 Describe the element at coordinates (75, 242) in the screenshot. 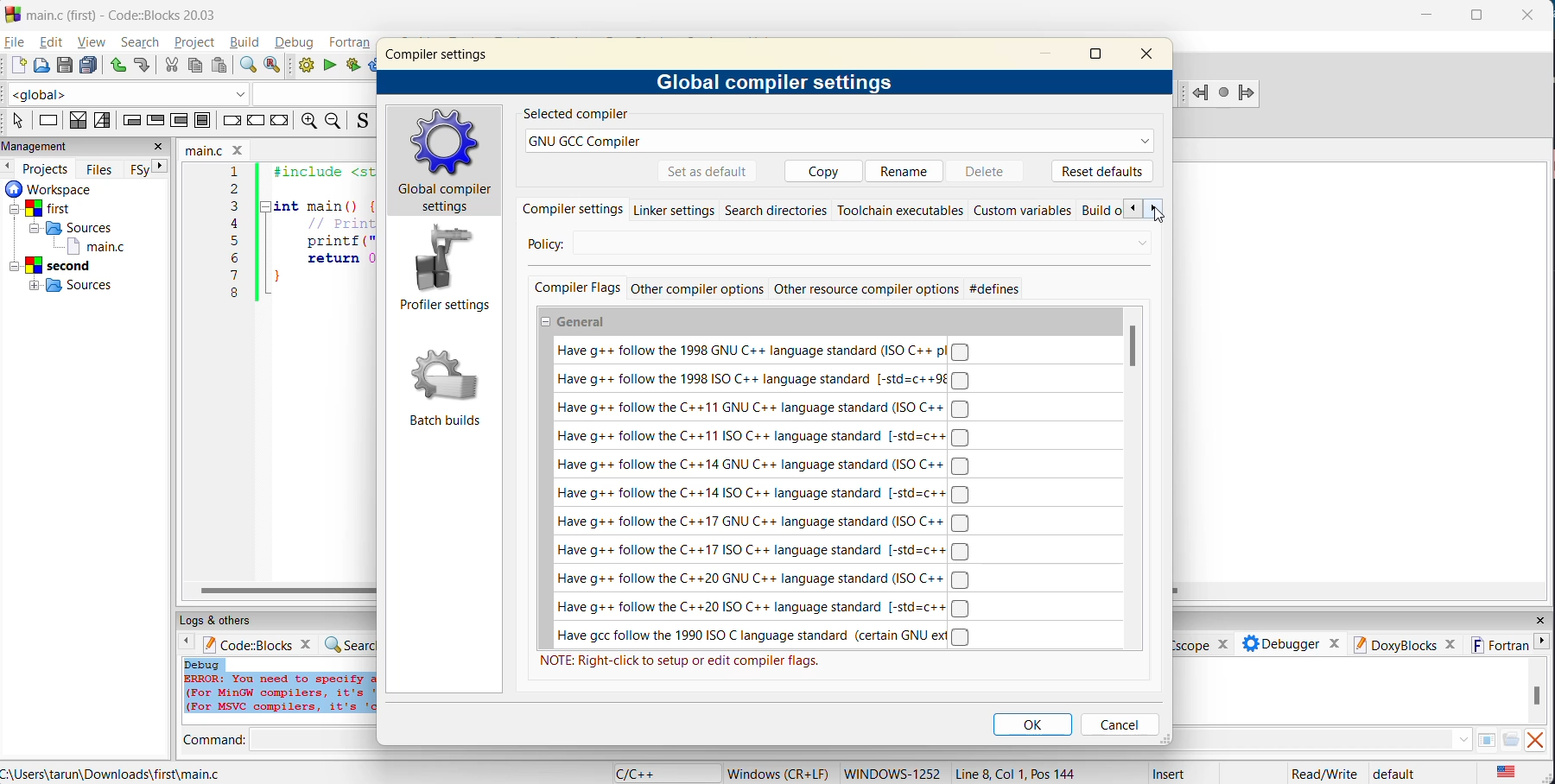

I see `workspaces` at that location.